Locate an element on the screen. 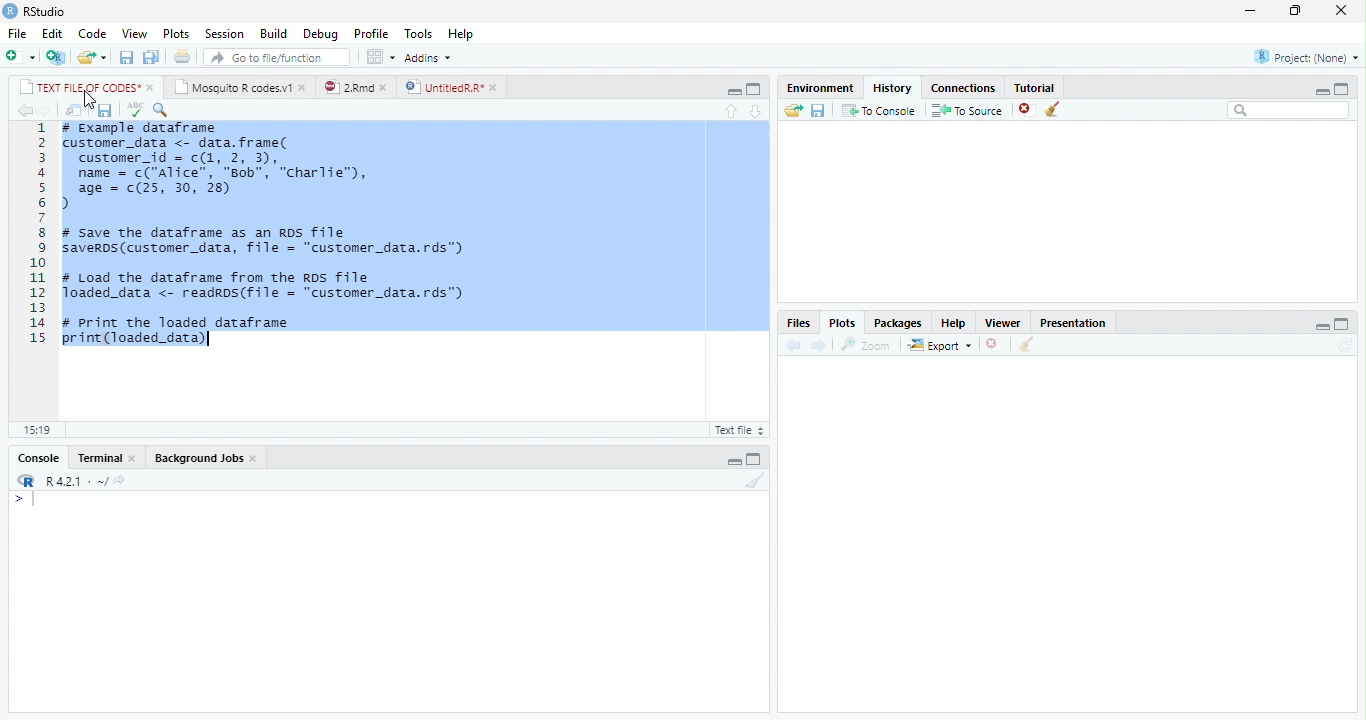 This screenshot has height=720, width=1366. close is located at coordinates (134, 459).